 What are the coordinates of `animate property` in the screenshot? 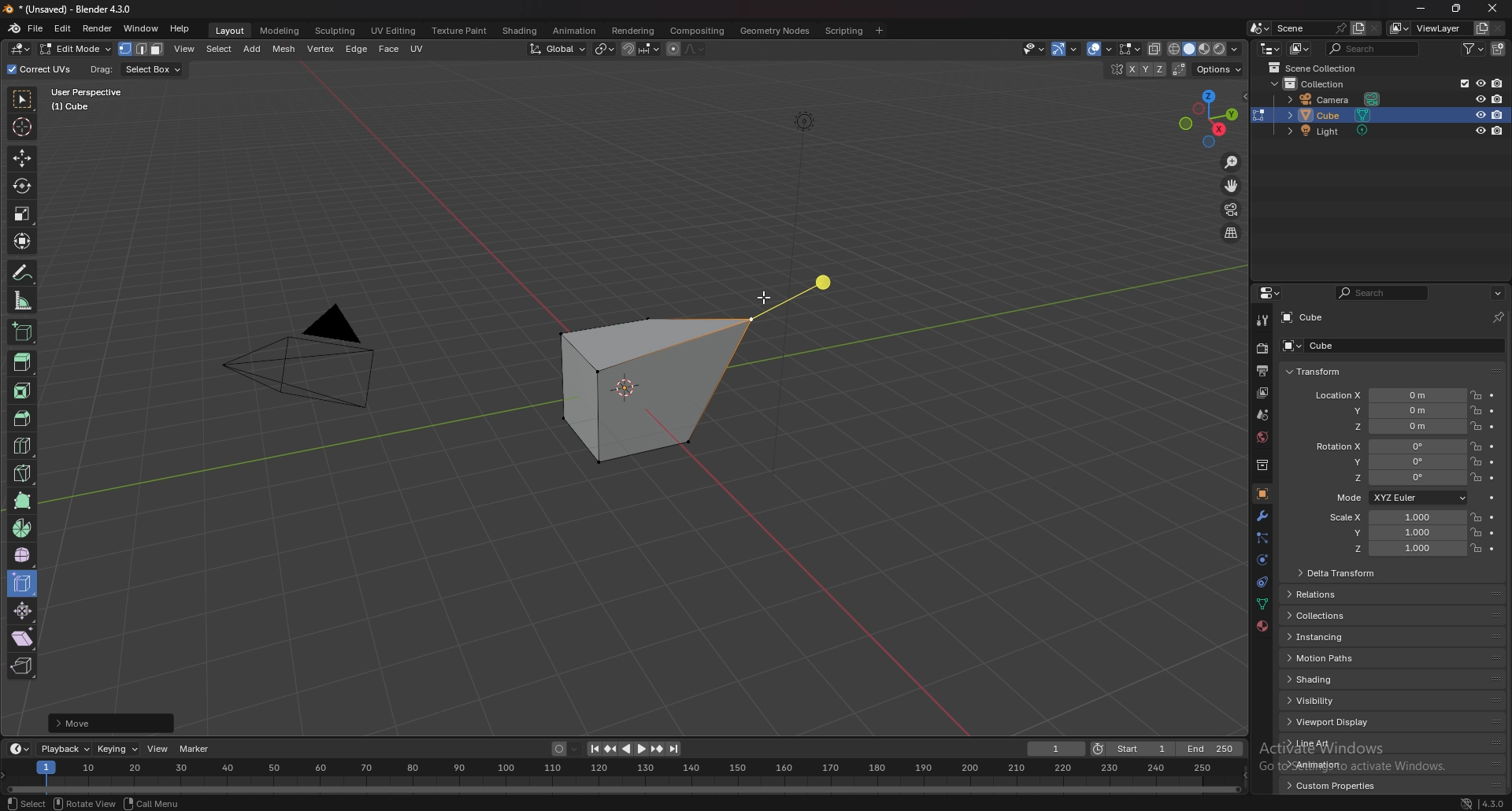 It's located at (1492, 427).